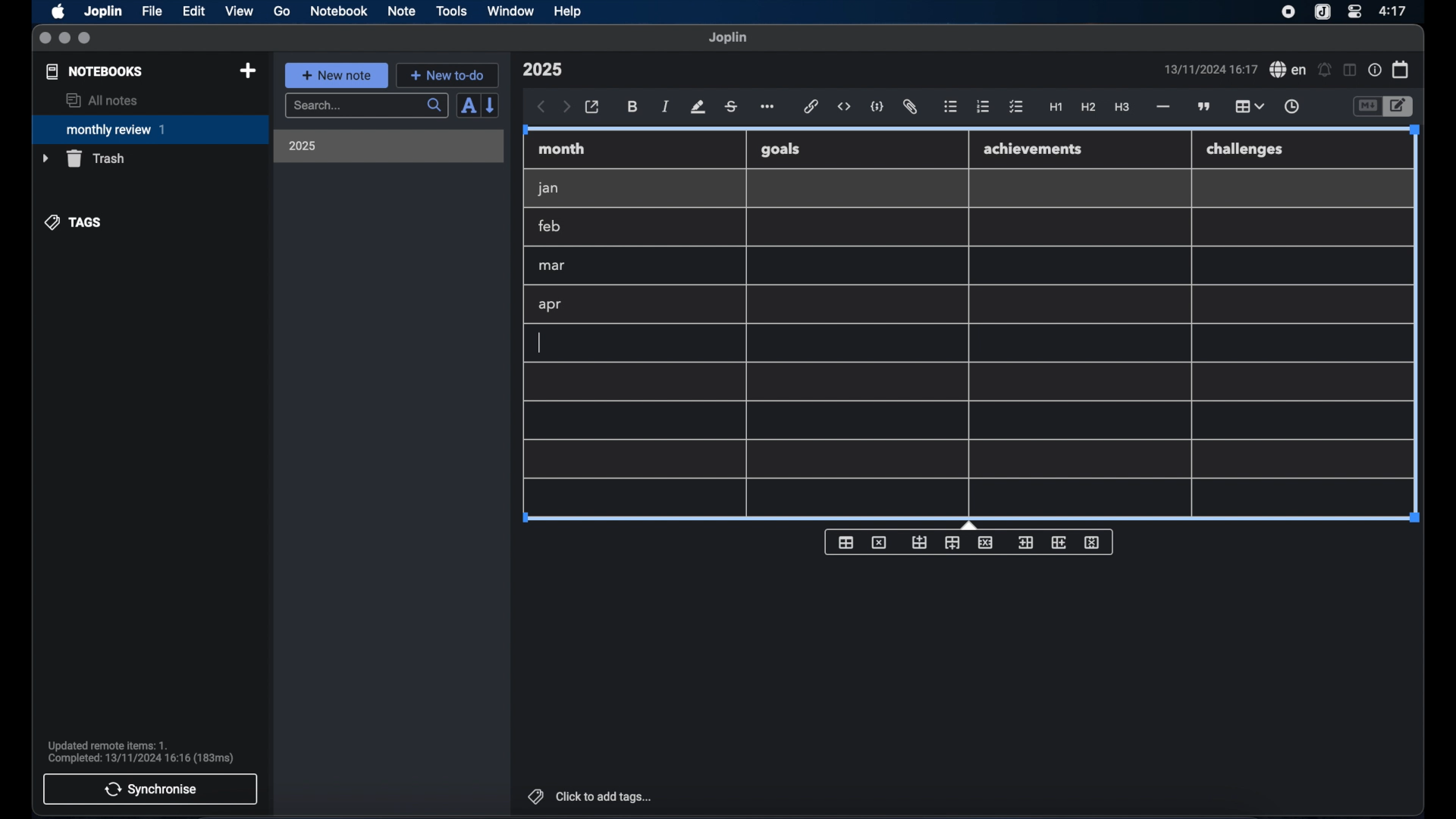 The height and width of the screenshot is (819, 1456). What do you see at coordinates (780, 149) in the screenshot?
I see `goals` at bounding box center [780, 149].